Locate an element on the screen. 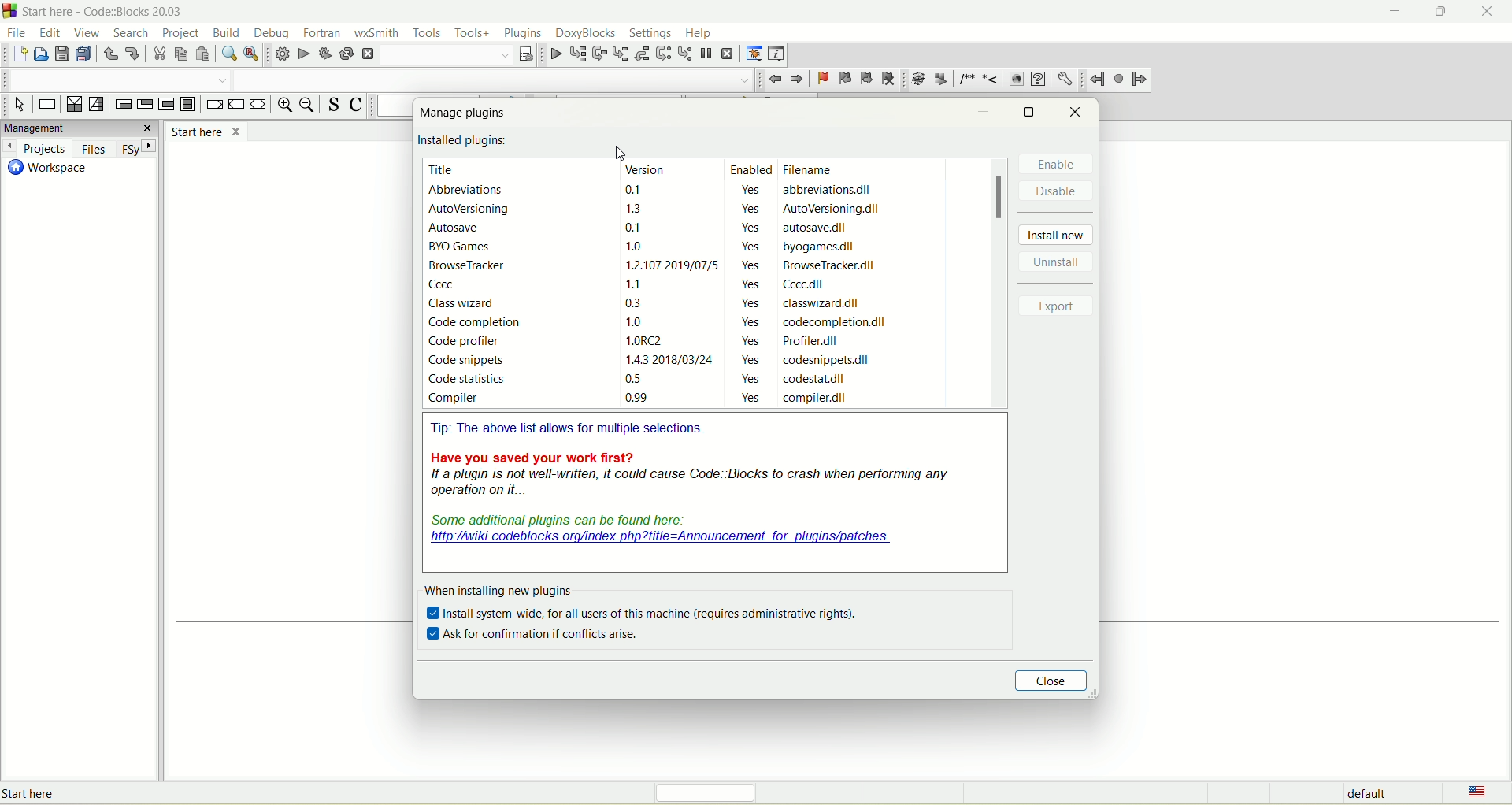  Version is located at coordinates (649, 169).